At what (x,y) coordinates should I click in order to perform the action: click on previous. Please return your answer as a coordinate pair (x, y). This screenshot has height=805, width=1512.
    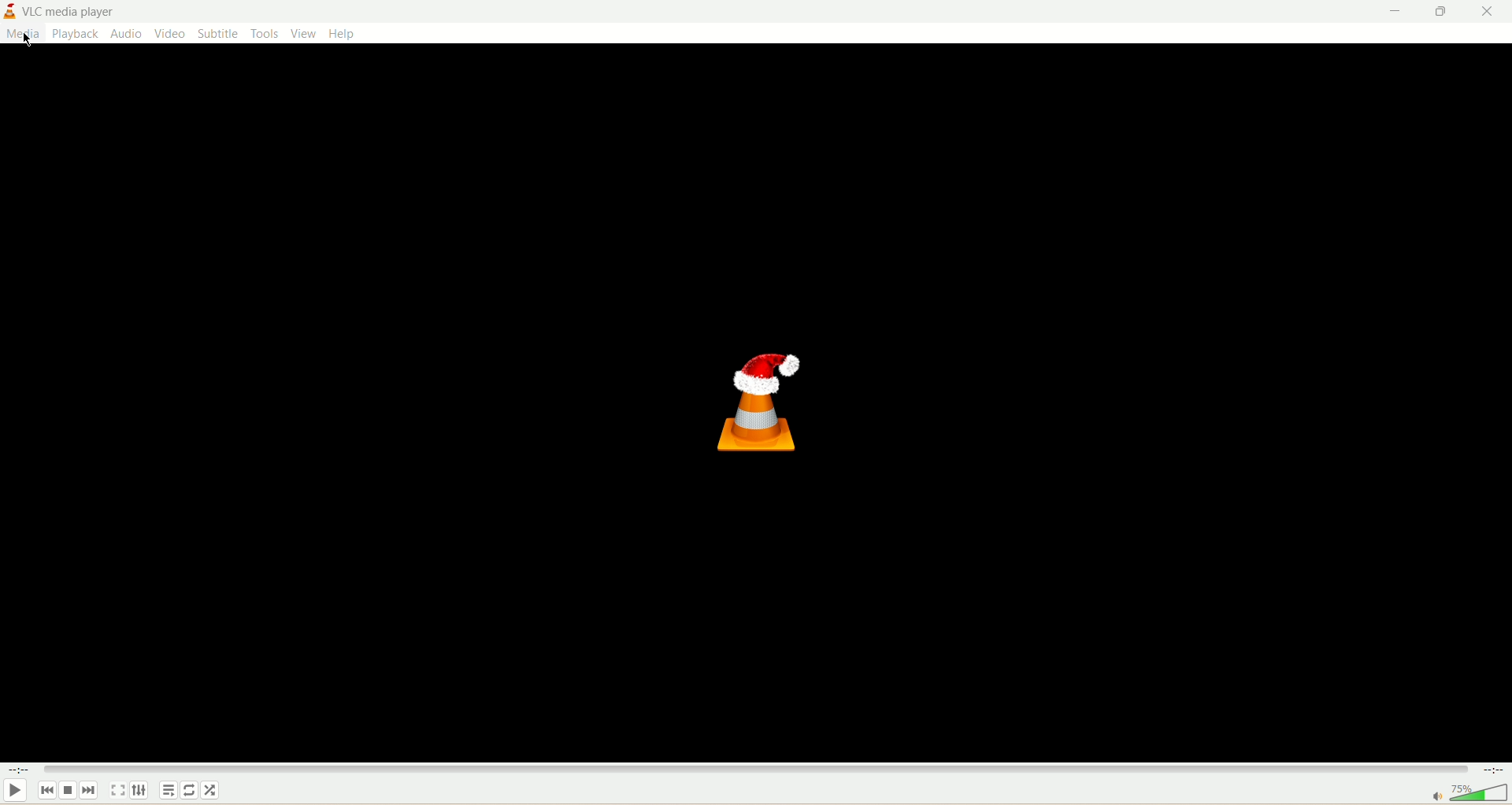
    Looking at the image, I should click on (50, 793).